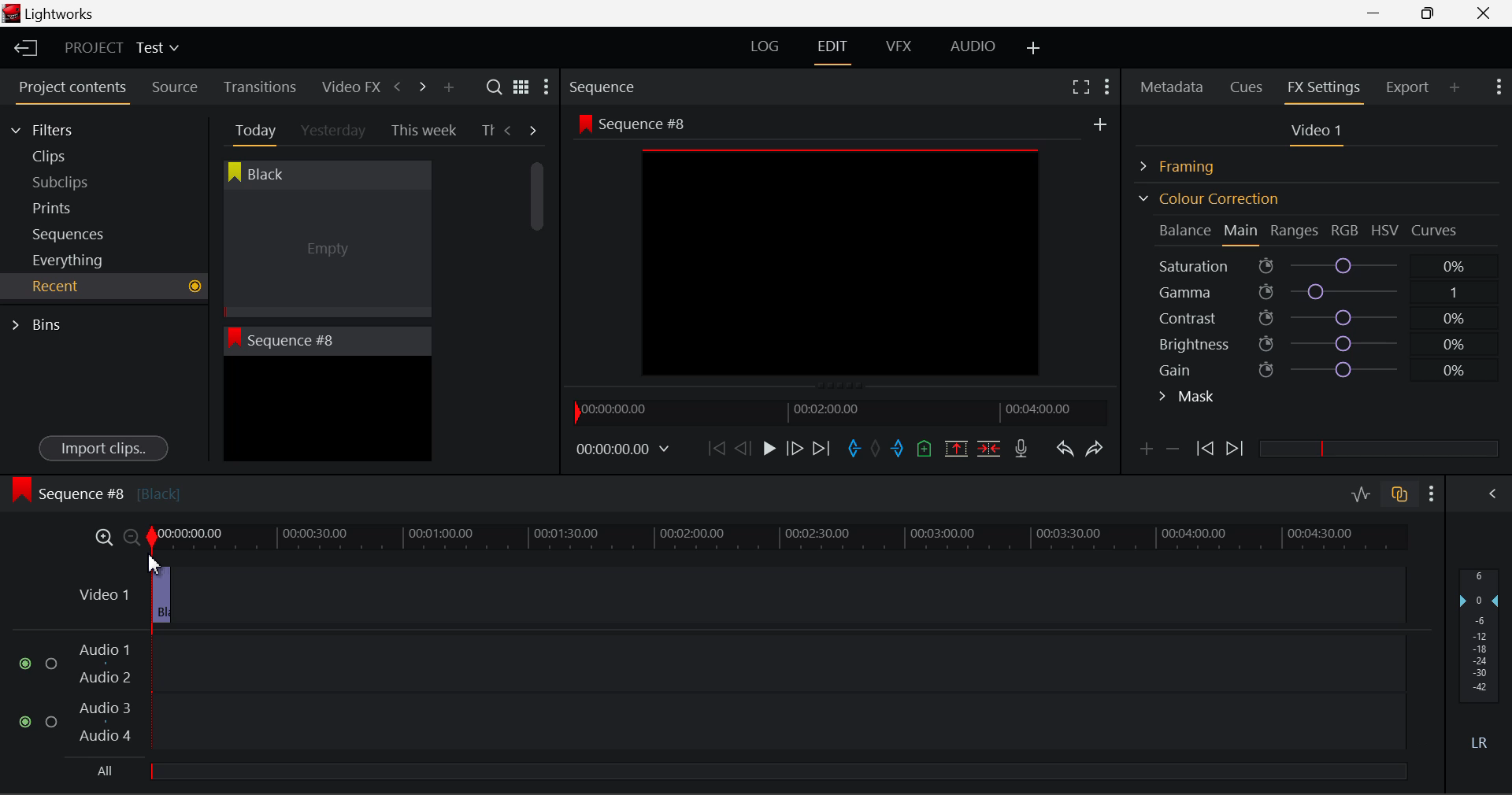  What do you see at coordinates (1436, 230) in the screenshot?
I see `Curves` at bounding box center [1436, 230].